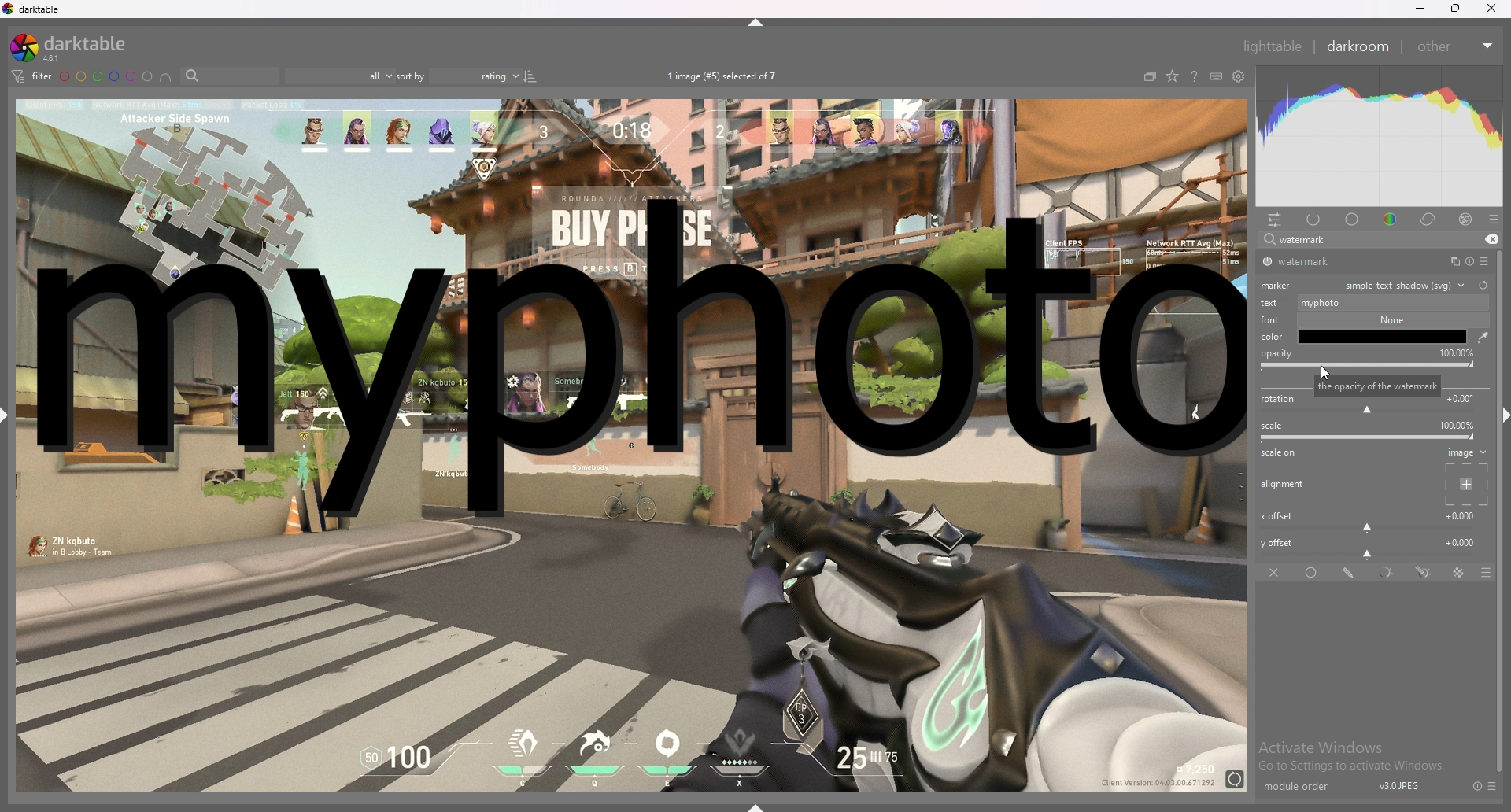 The width and height of the screenshot is (1511, 812). I want to click on color label, so click(107, 76).